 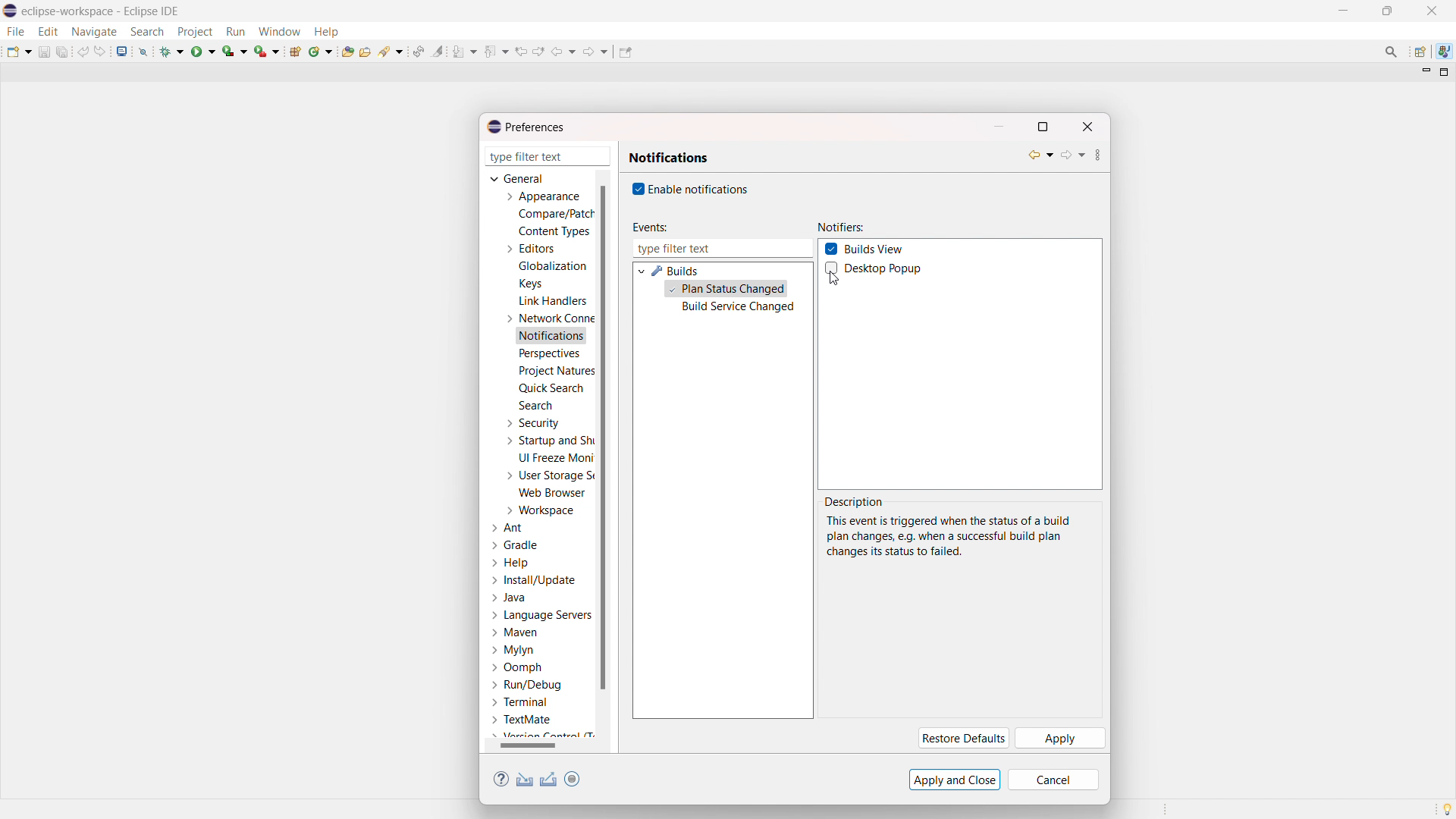 What do you see at coordinates (1040, 155) in the screenshot?
I see `back` at bounding box center [1040, 155].